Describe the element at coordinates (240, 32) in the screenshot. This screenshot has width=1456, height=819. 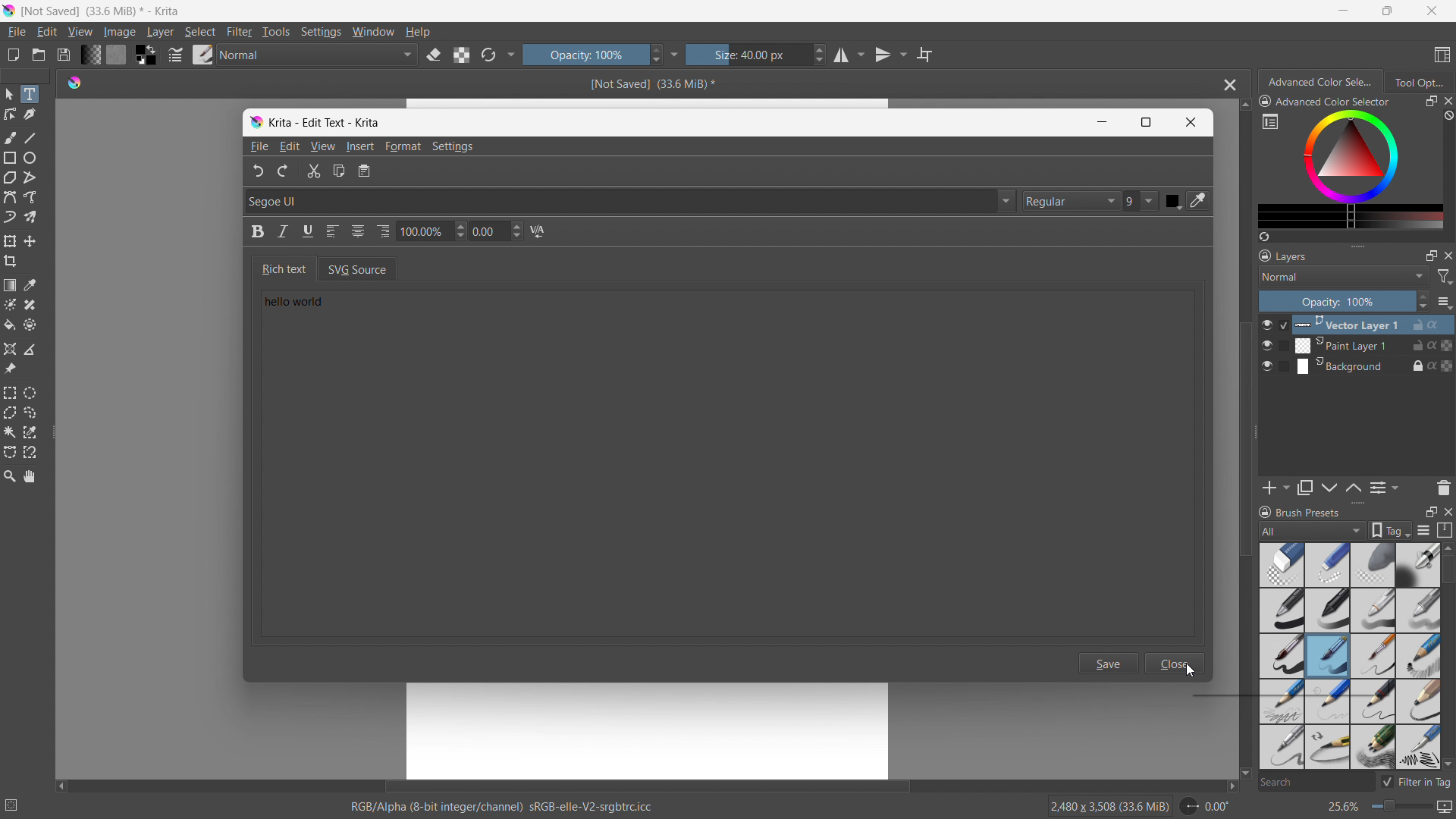
I see `filter` at that location.